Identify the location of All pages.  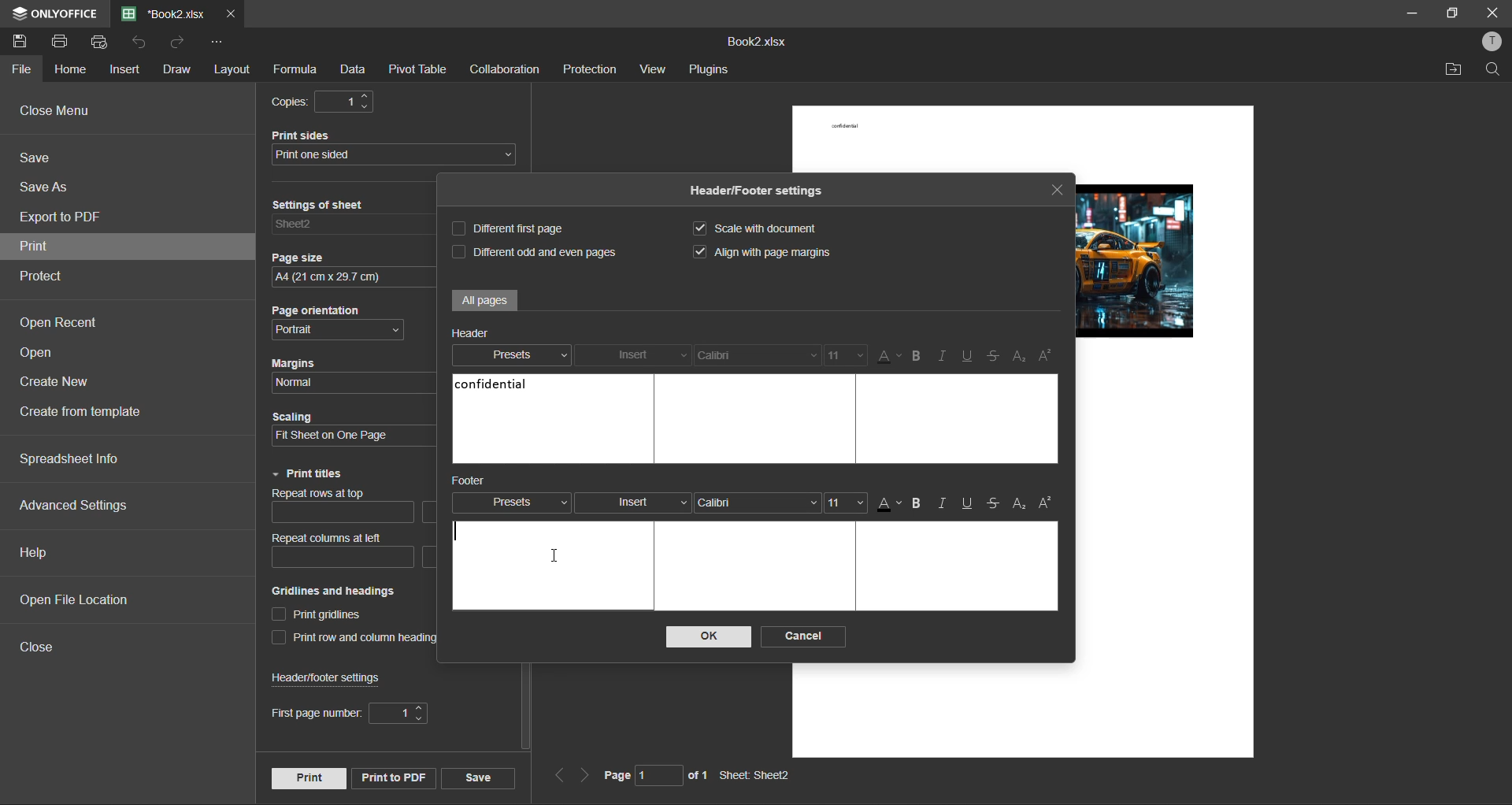
(484, 302).